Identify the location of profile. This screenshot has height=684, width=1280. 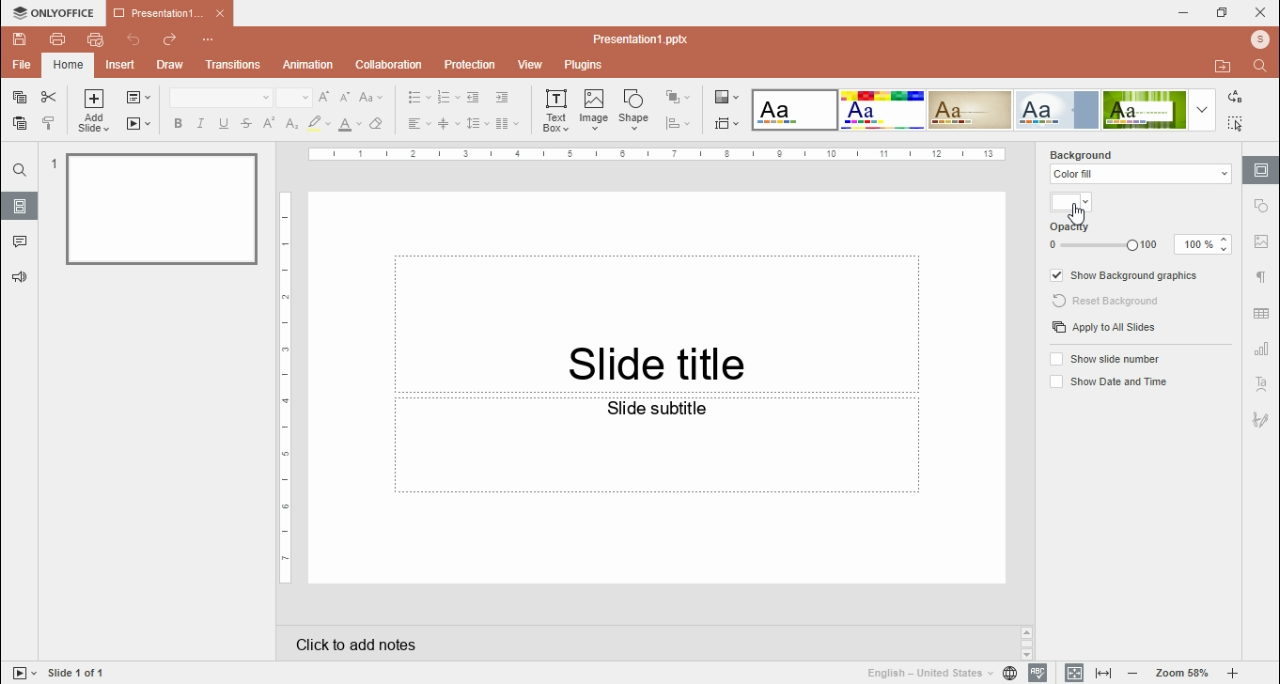
(1259, 41).